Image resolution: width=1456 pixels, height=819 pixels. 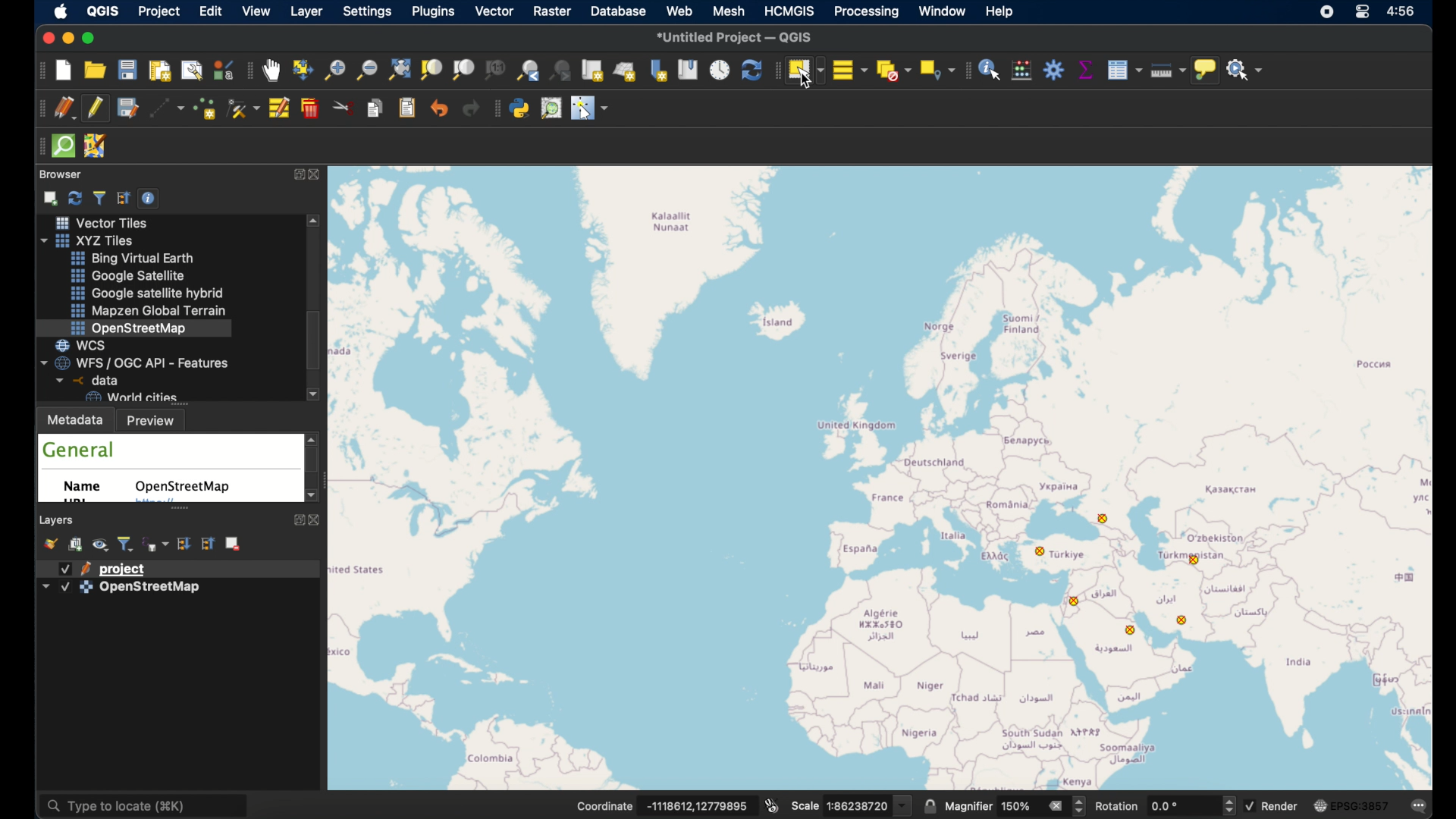 What do you see at coordinates (494, 110) in the screenshot?
I see `plugins toolbar` at bounding box center [494, 110].